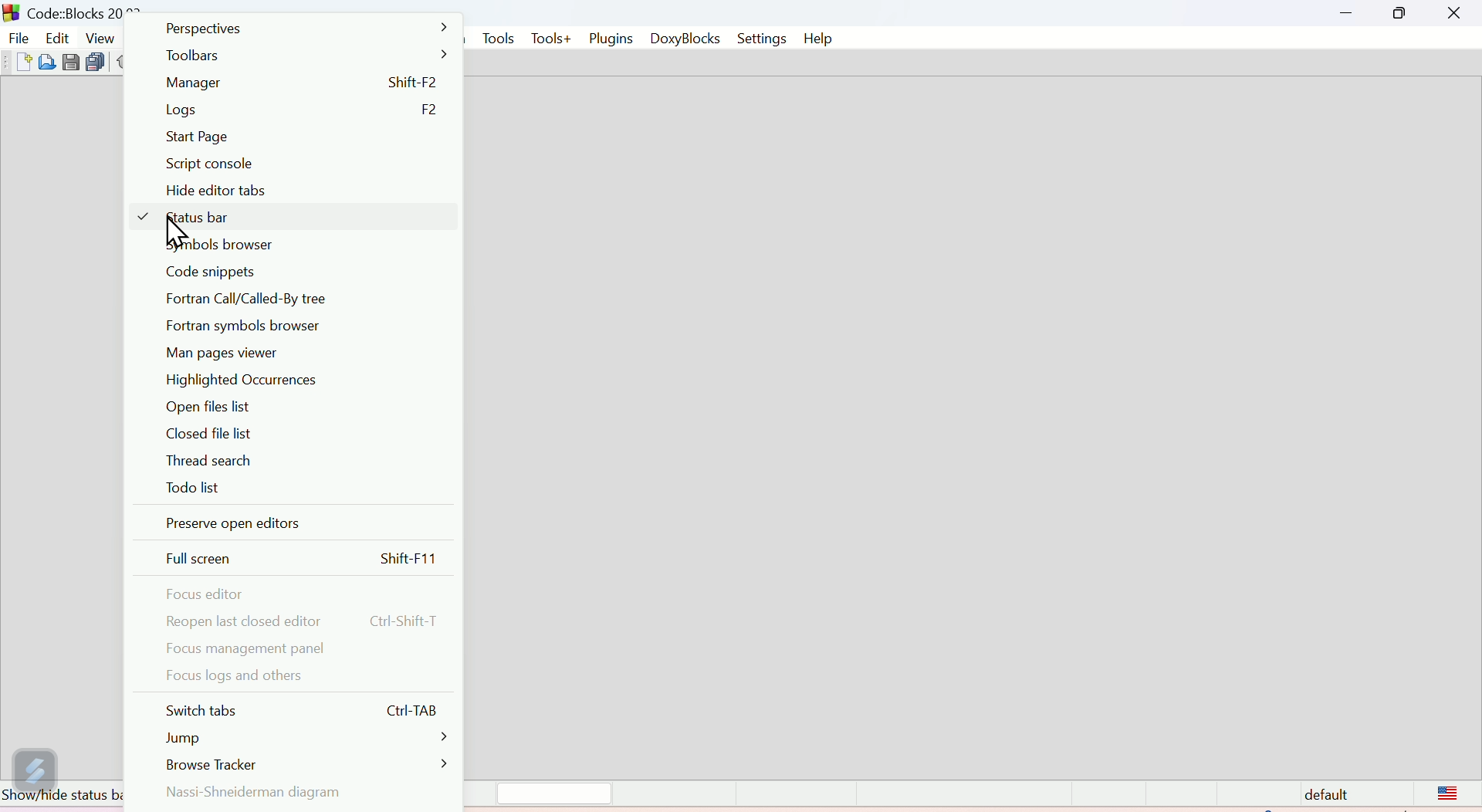  Describe the element at coordinates (244, 648) in the screenshot. I see `Focus management panel` at that location.